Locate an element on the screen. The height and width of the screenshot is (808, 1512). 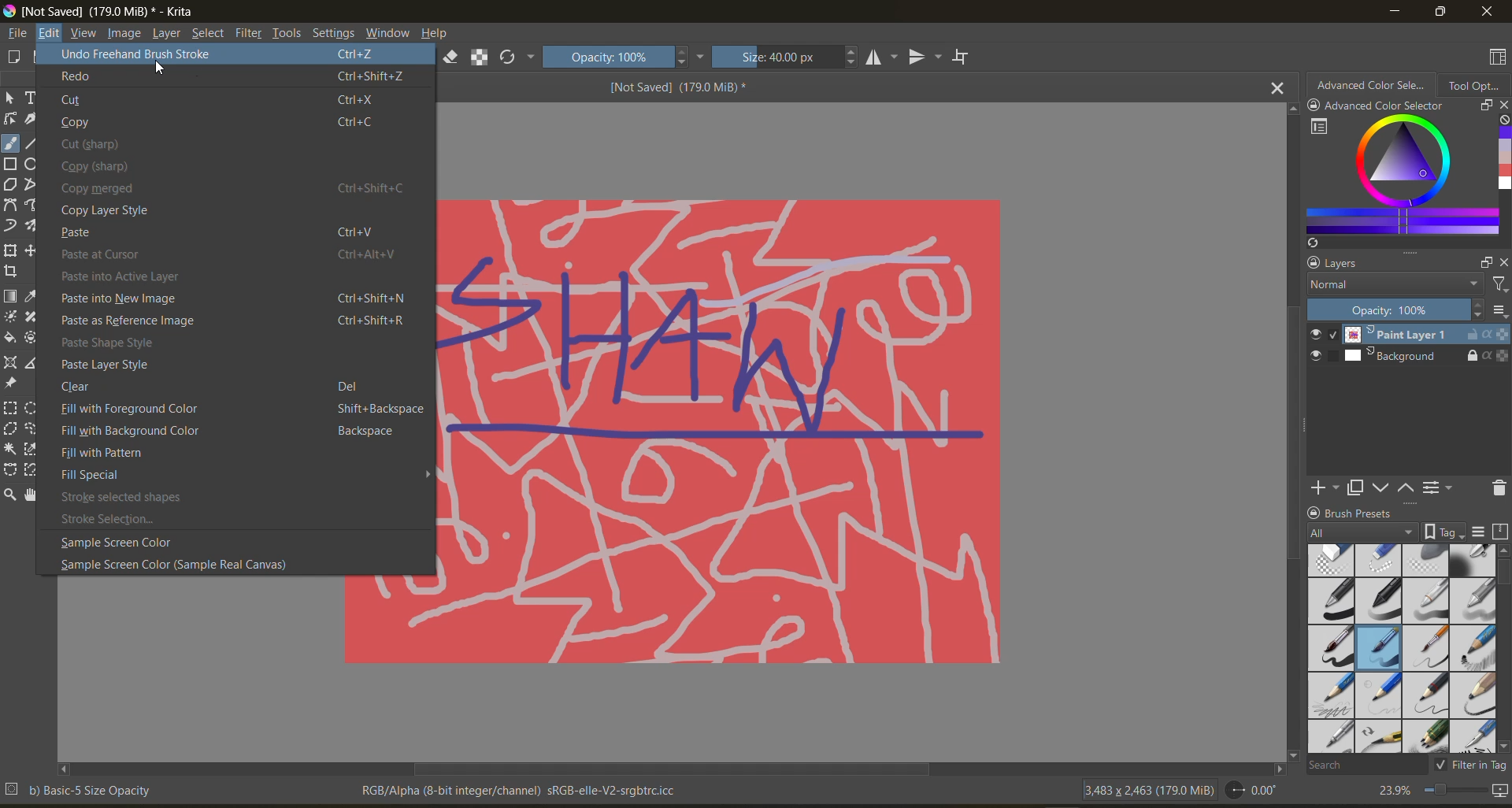
advanced color selector is located at coordinates (1395, 183).